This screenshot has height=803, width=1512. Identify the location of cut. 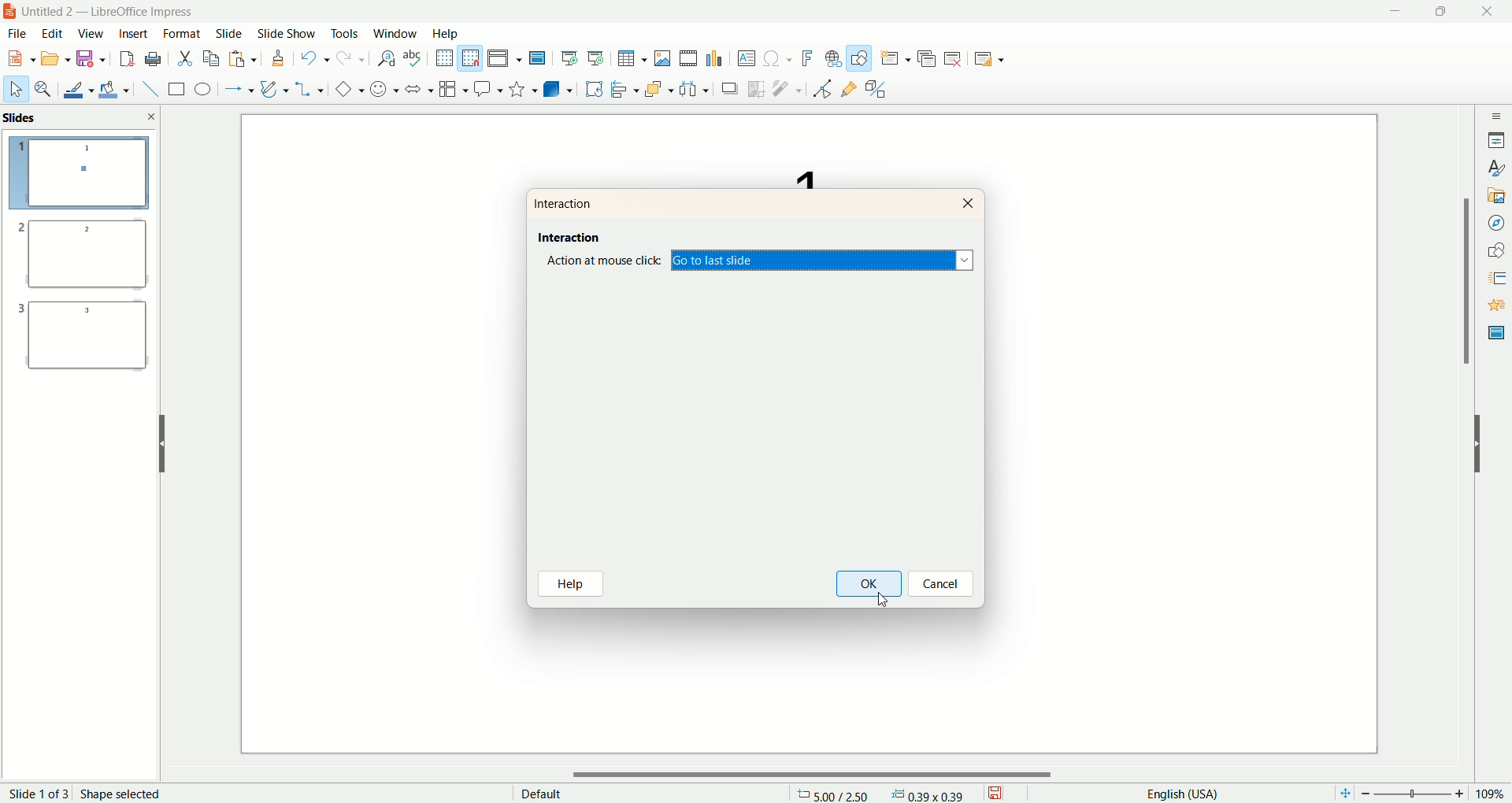
(186, 57).